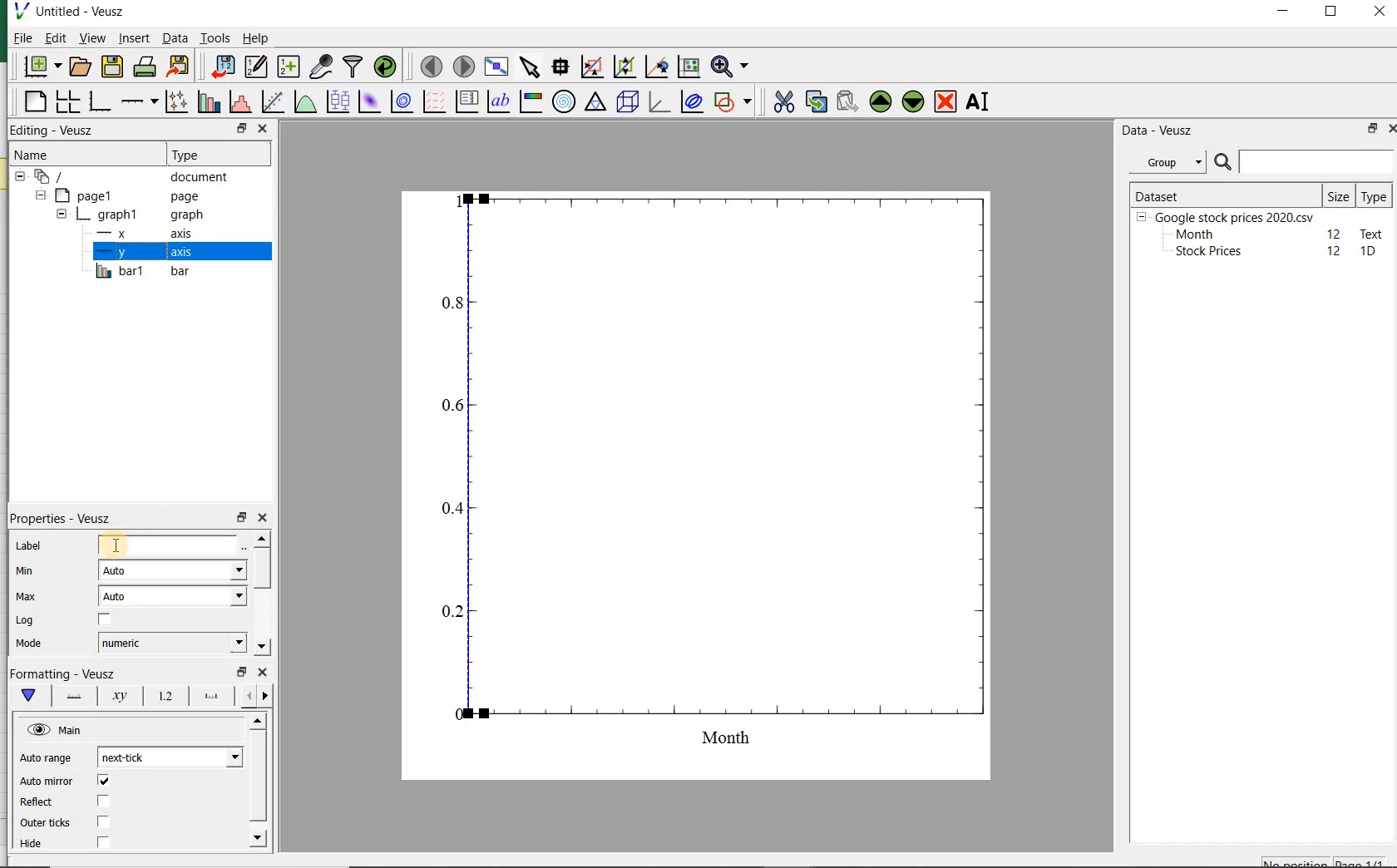 This screenshot has width=1397, height=868. What do you see at coordinates (173, 103) in the screenshot?
I see `plot points with lines and errorbars` at bounding box center [173, 103].